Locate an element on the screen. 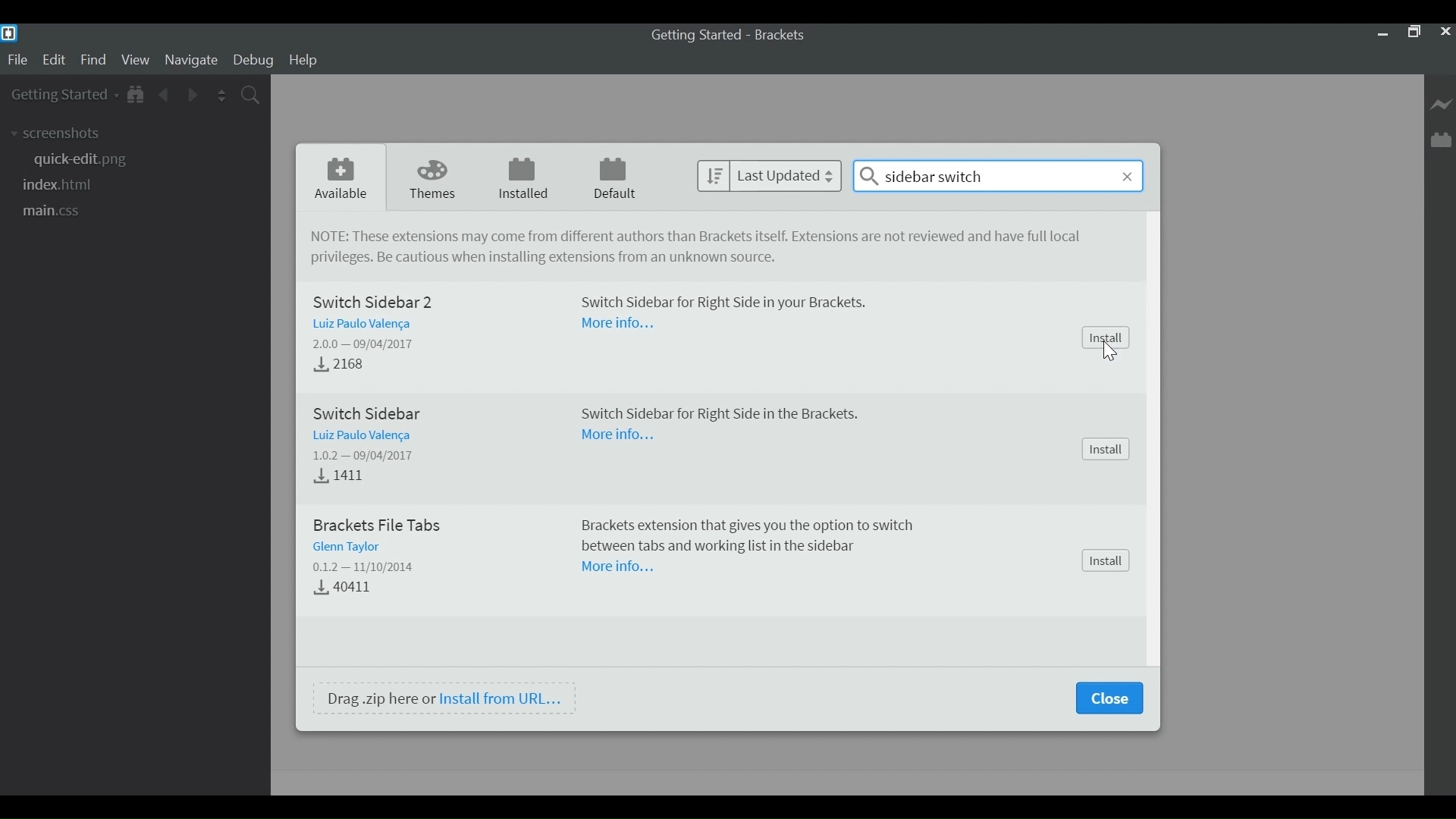 This screenshot has width=1456, height=819. Close is located at coordinates (1444, 33).